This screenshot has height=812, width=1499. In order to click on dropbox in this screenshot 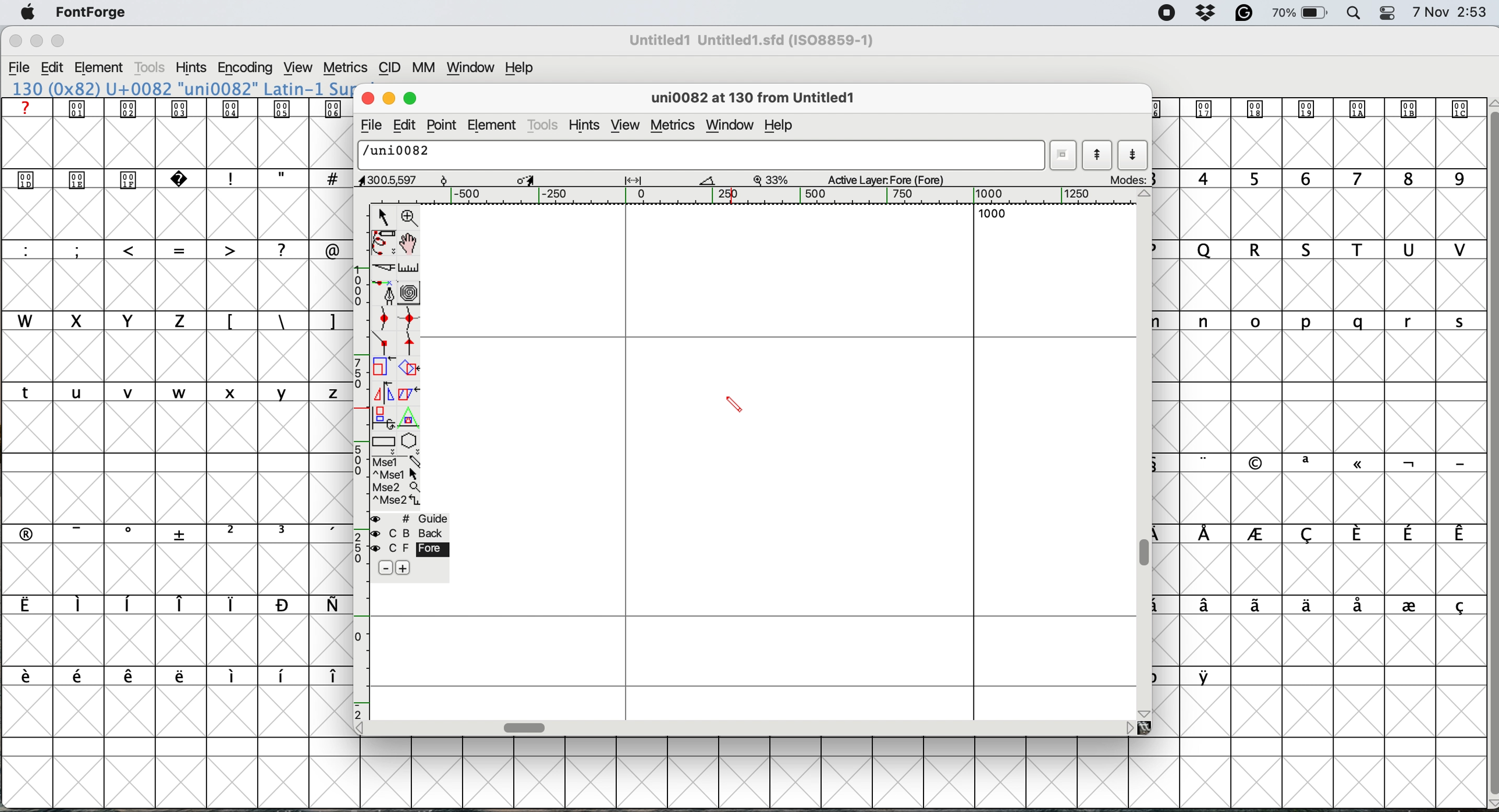, I will do `click(1208, 13)`.